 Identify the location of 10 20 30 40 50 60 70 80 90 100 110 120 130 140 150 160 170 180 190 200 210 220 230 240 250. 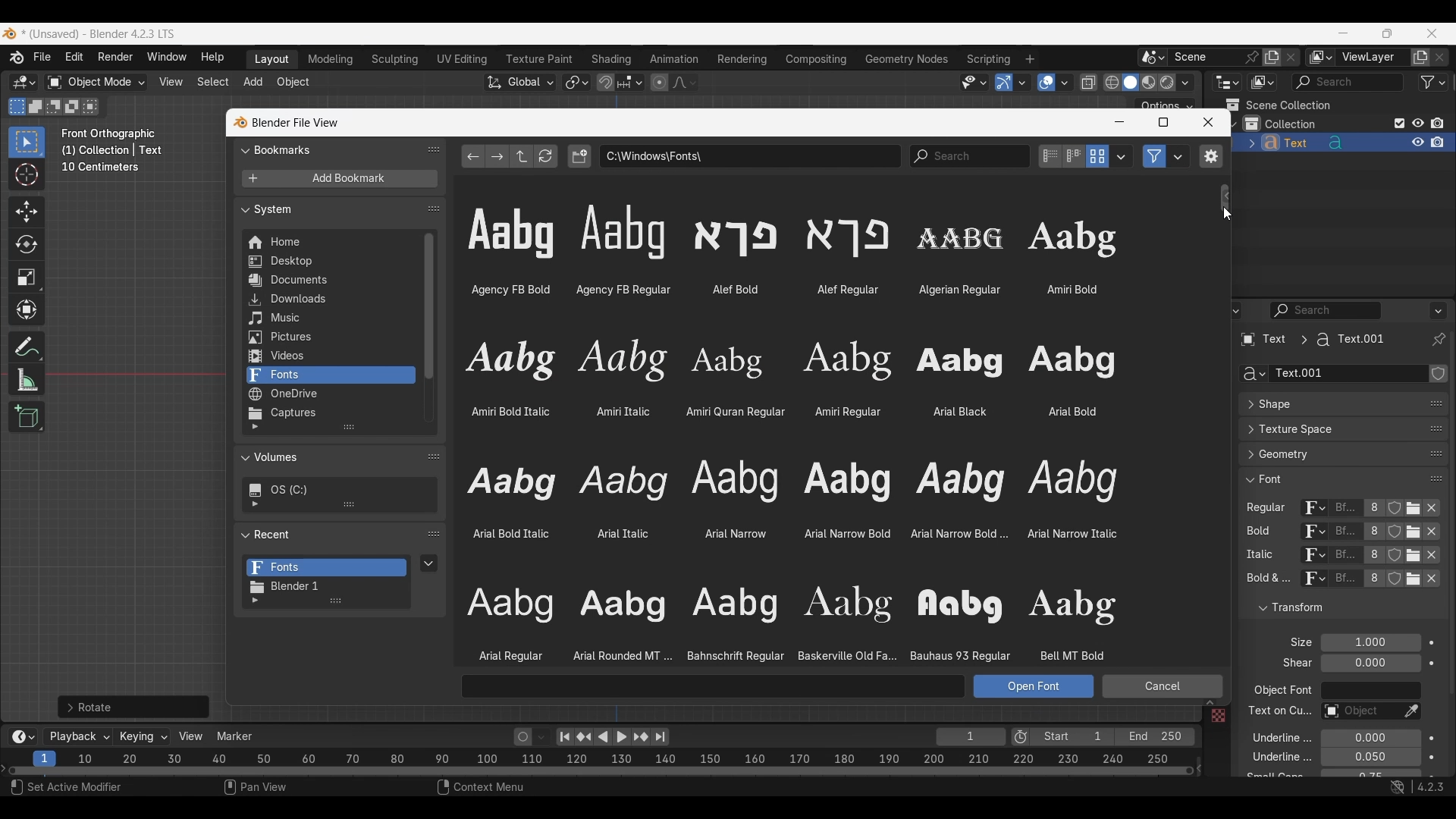
(627, 757).